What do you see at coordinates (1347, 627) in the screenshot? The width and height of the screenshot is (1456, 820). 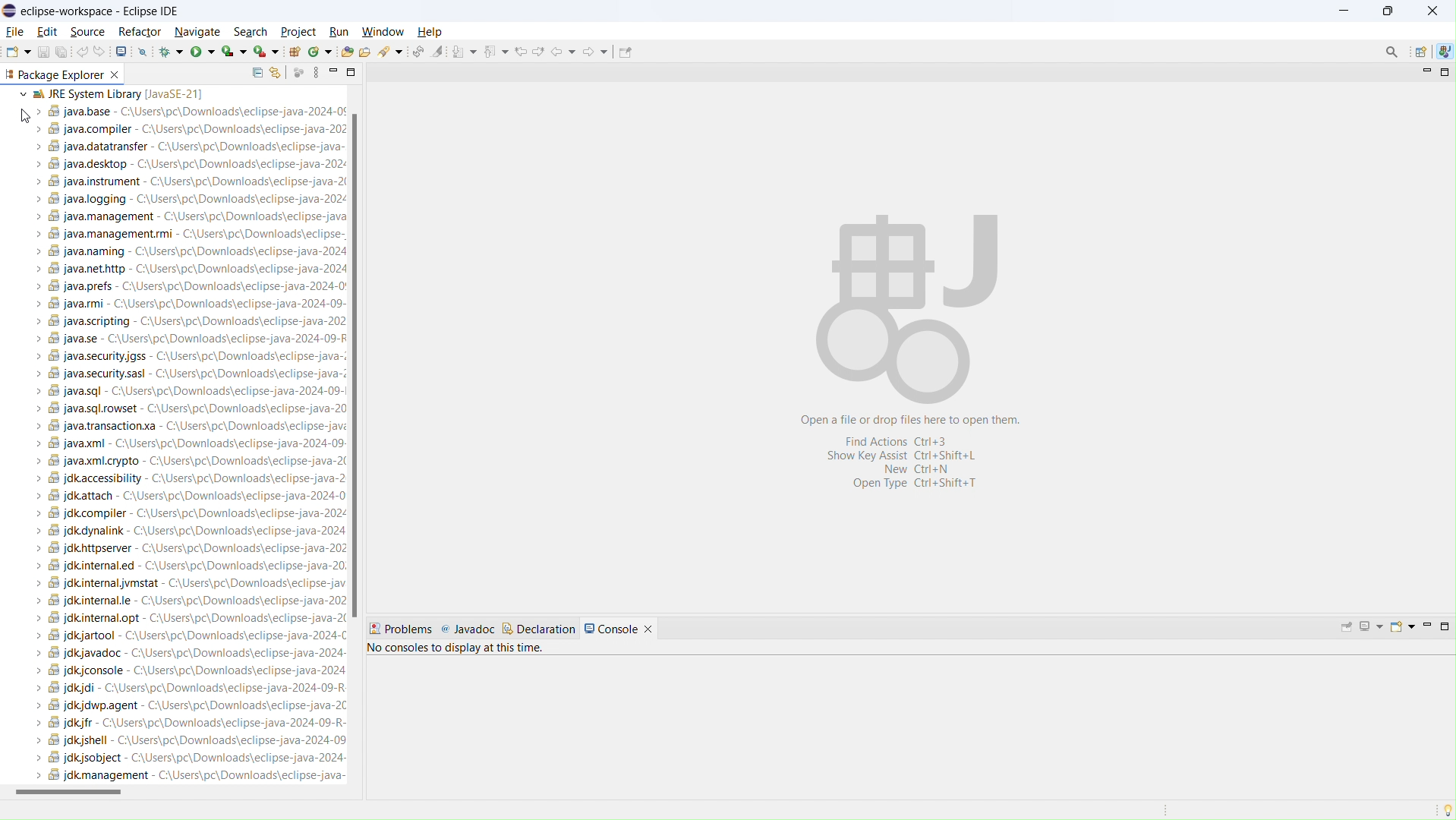 I see `pin console` at bounding box center [1347, 627].